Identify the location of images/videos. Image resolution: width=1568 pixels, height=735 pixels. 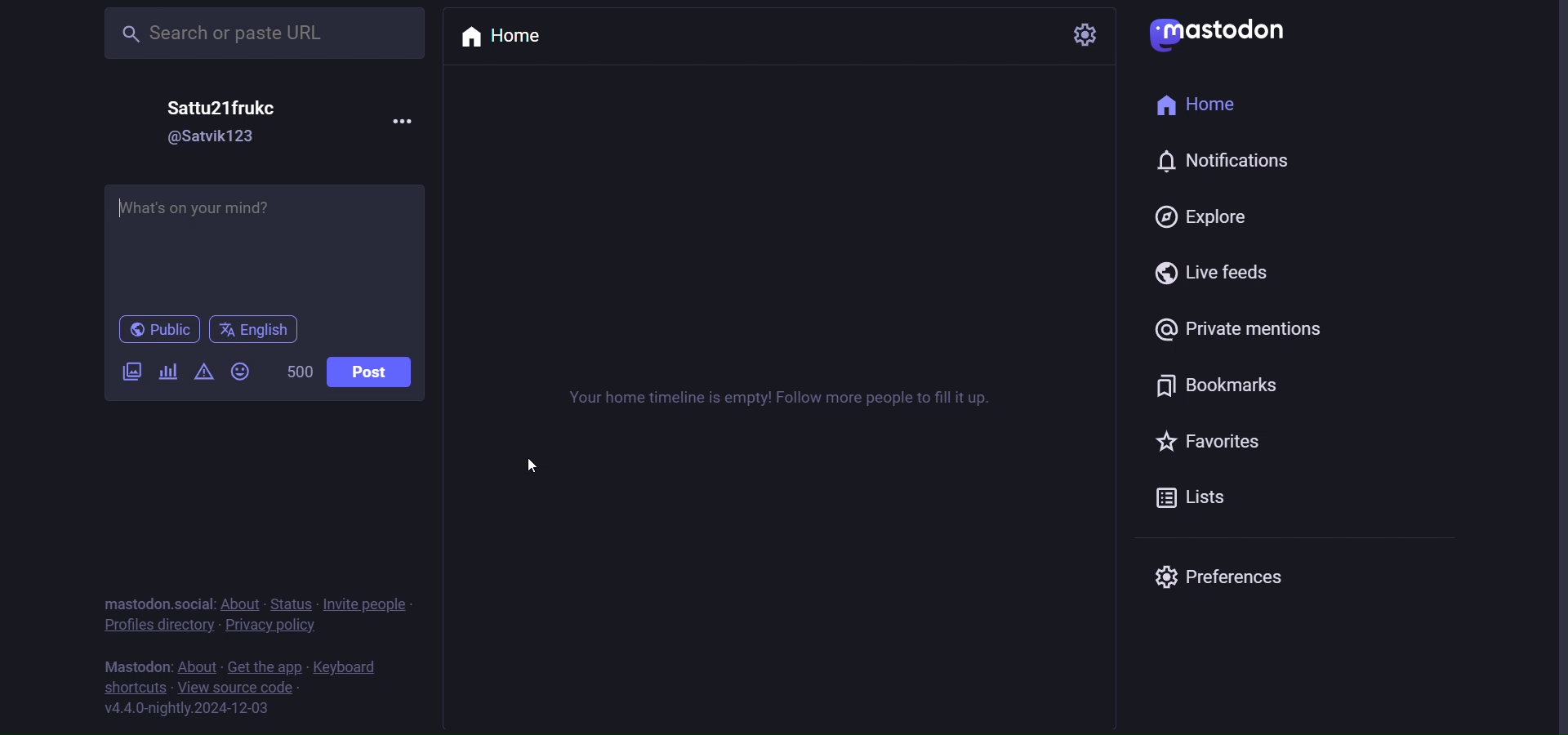
(127, 372).